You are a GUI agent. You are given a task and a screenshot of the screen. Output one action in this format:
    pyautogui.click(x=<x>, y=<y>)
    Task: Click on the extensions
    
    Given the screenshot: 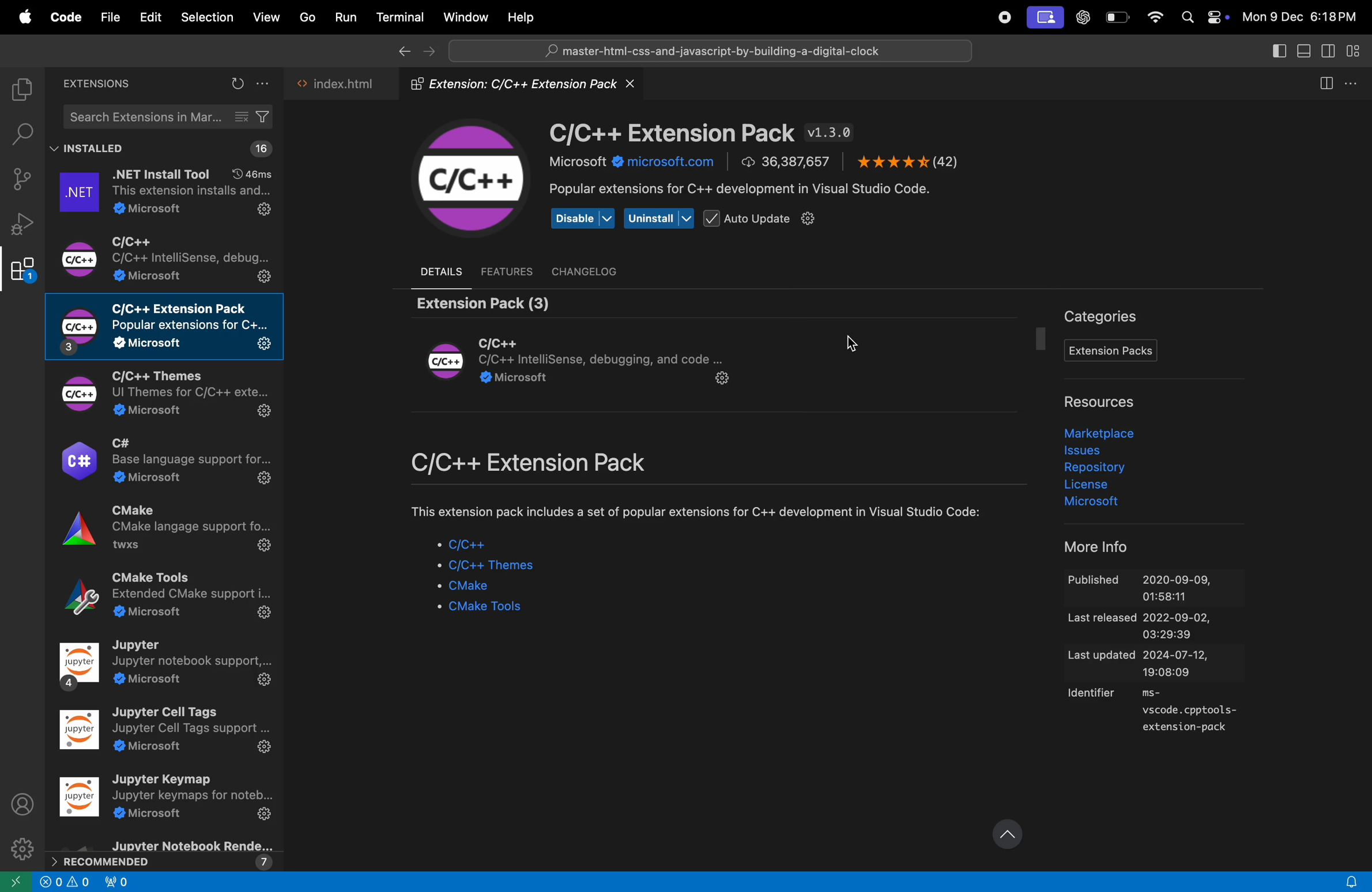 What is the action you would take?
    pyautogui.click(x=97, y=85)
    